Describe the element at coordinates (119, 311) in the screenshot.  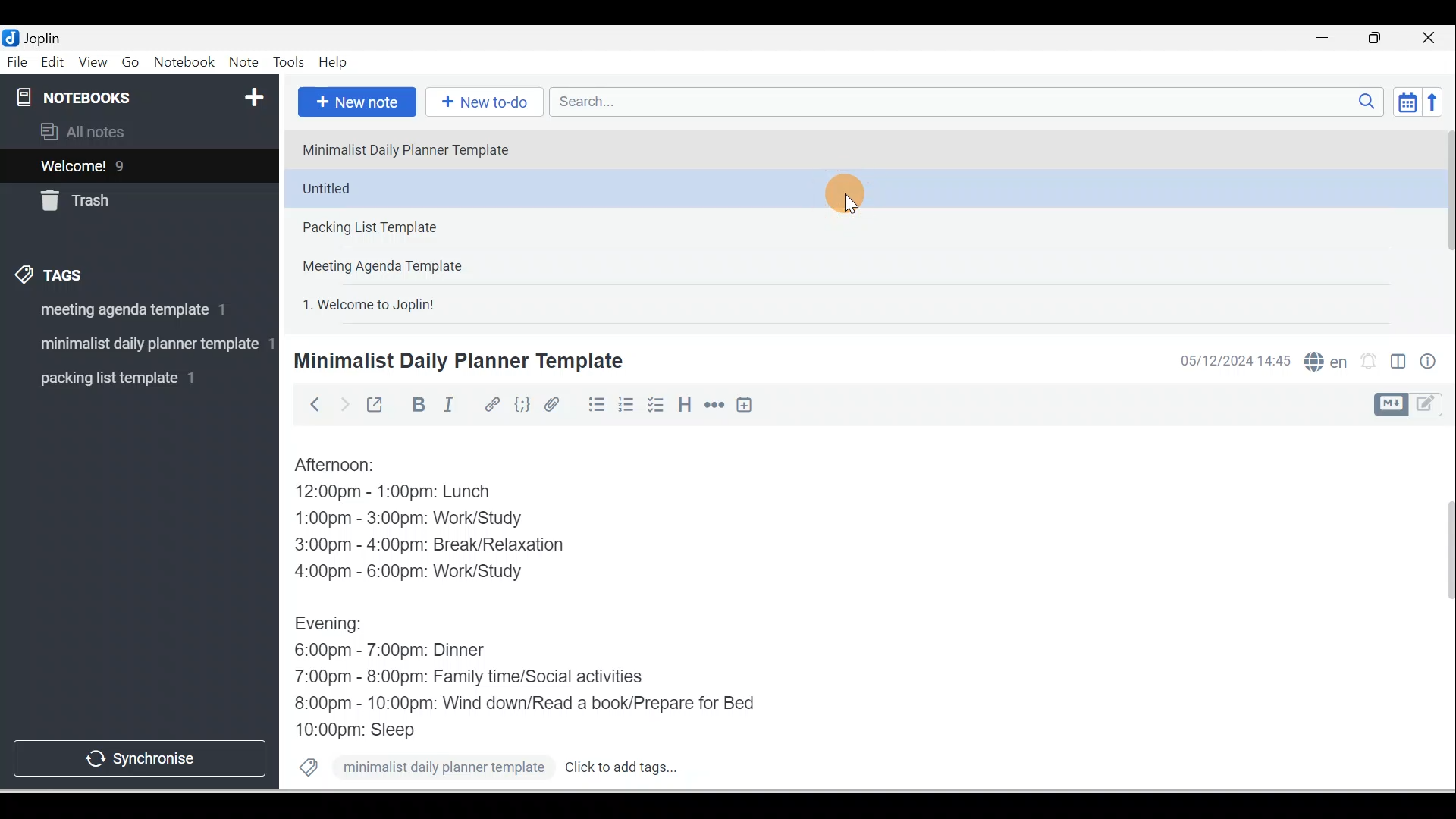
I see `Tag 1` at that location.